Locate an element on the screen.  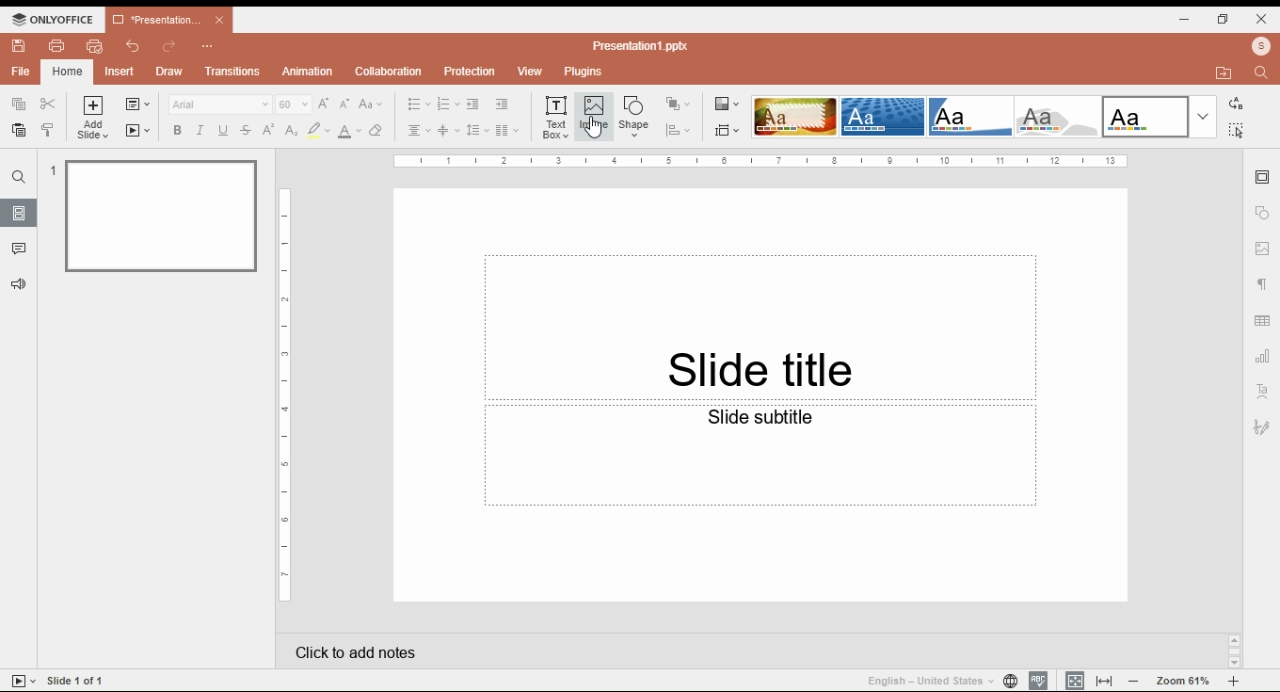
animation is located at coordinates (309, 71).